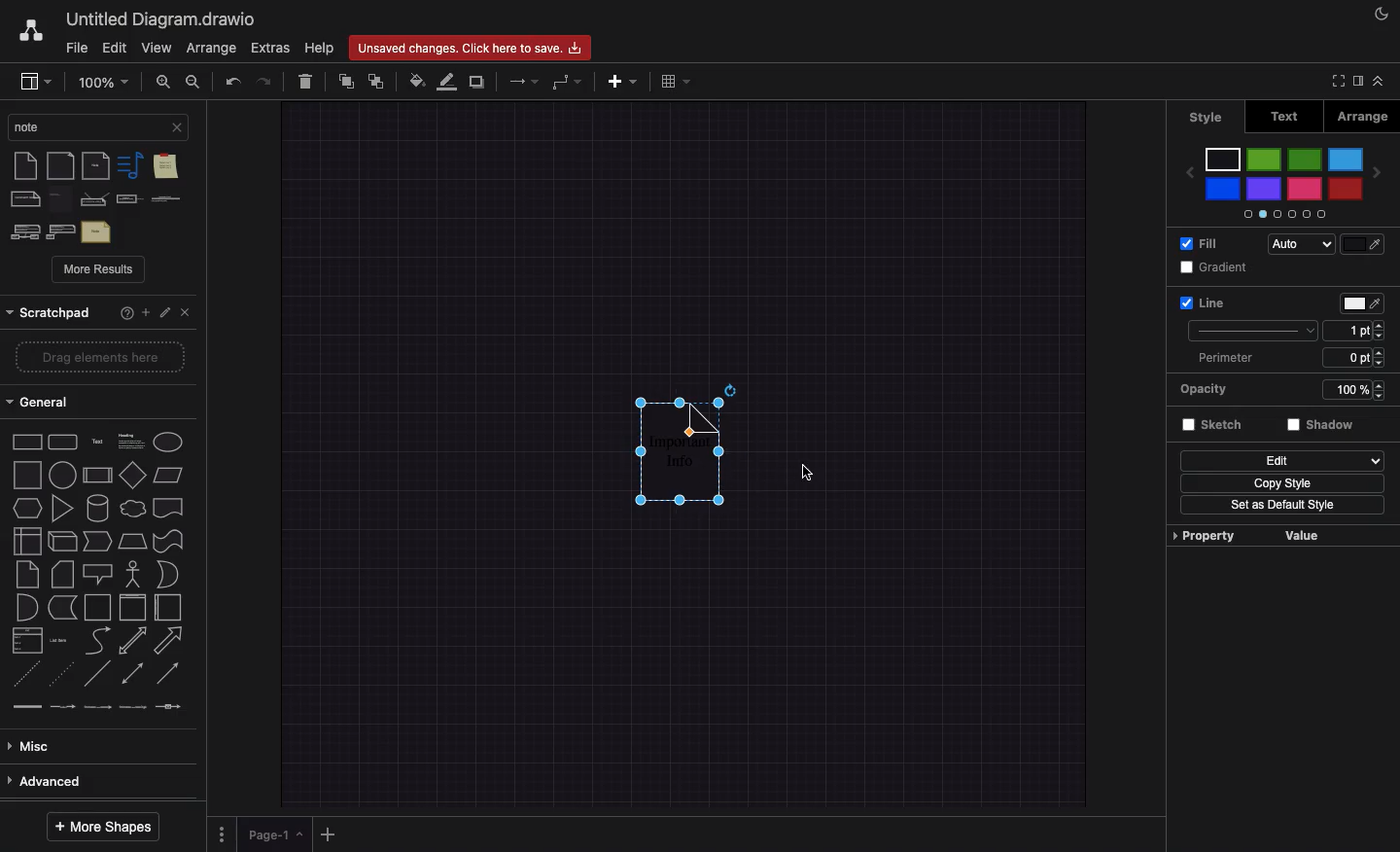 This screenshot has width=1400, height=852. Describe the element at coordinates (33, 30) in the screenshot. I see `Draw.io` at that location.